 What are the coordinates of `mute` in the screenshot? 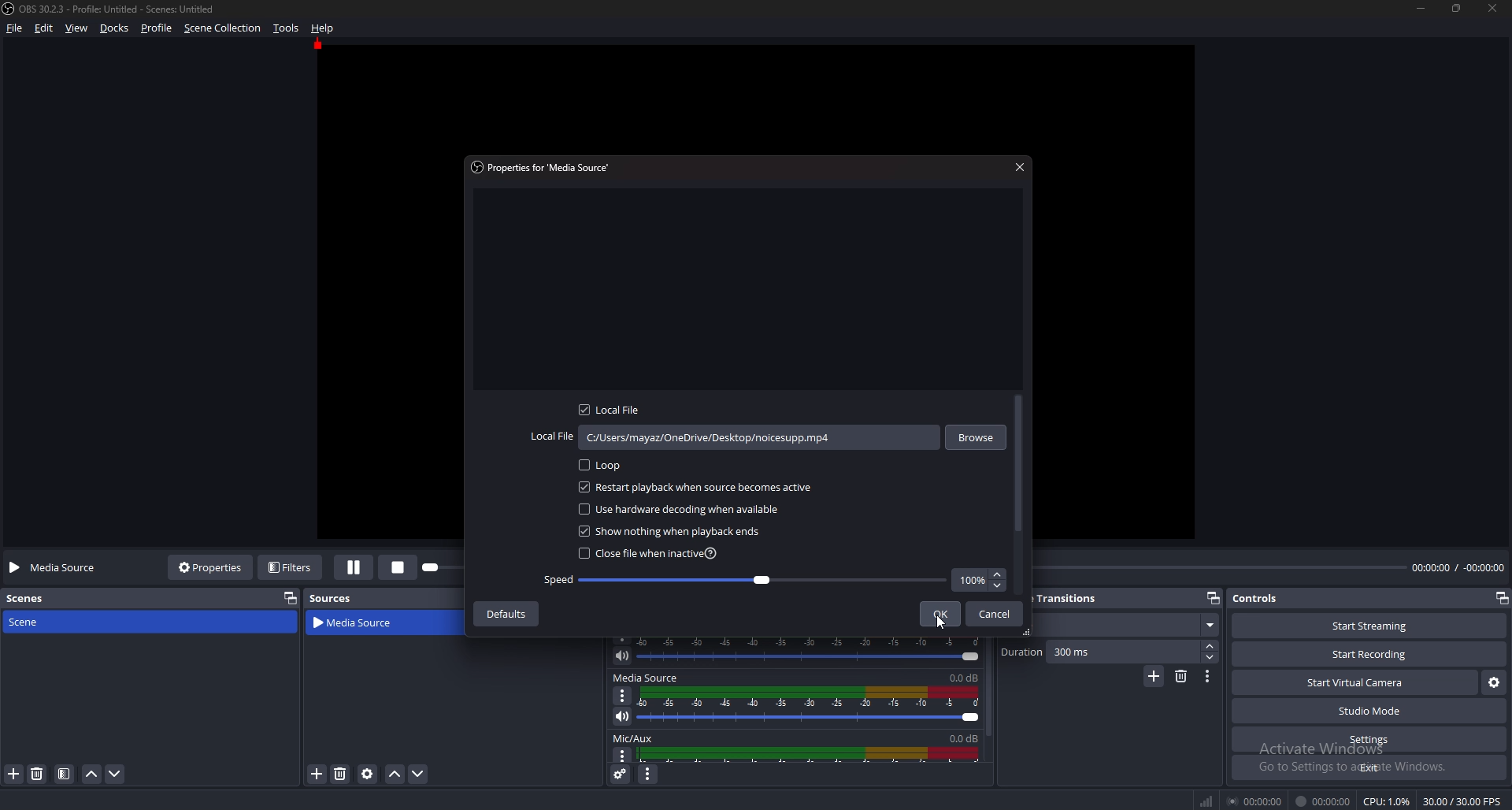 It's located at (622, 656).